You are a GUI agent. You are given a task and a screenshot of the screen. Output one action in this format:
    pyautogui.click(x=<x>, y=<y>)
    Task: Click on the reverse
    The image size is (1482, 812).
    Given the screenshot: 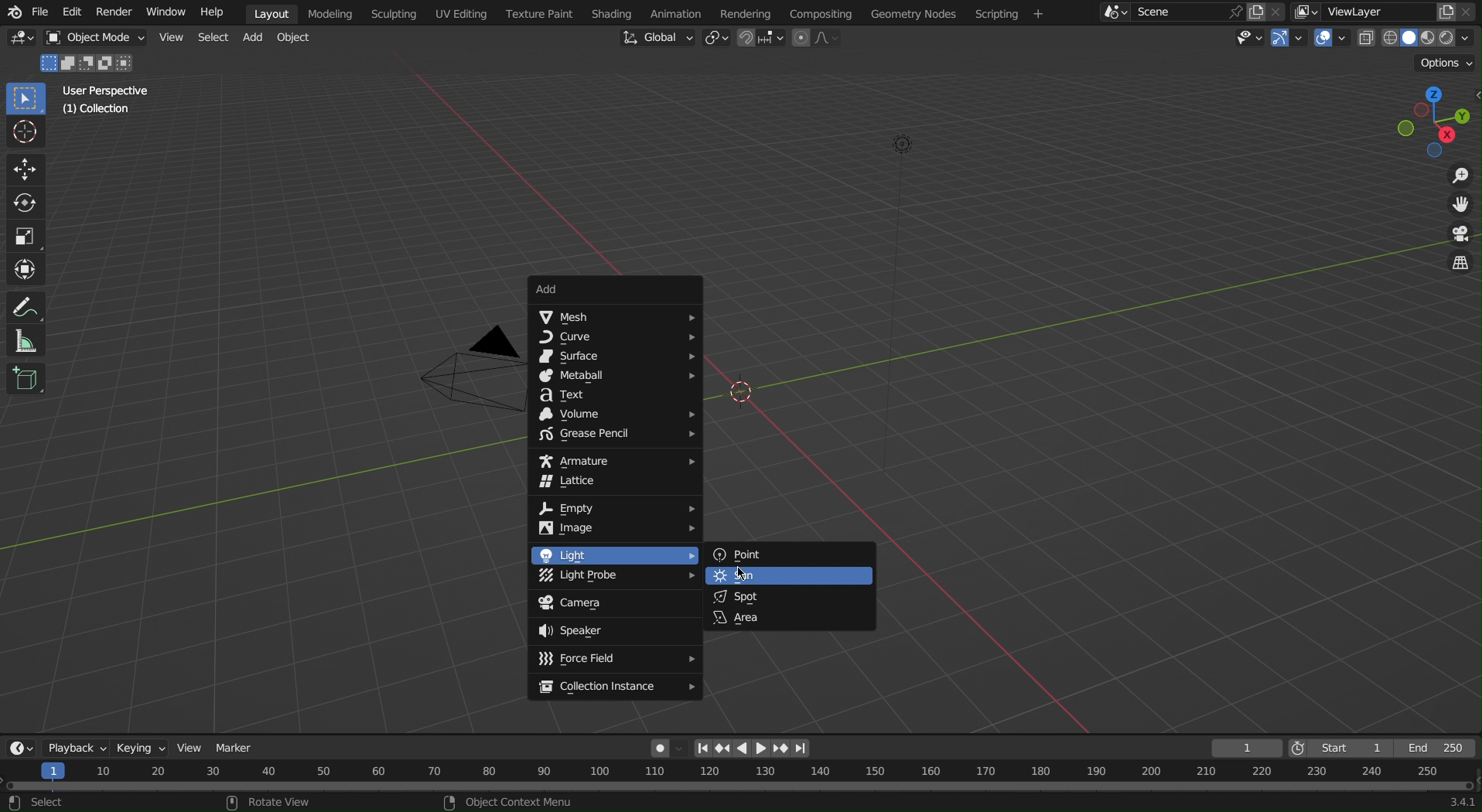 What is the action you would take?
    pyautogui.click(x=722, y=749)
    